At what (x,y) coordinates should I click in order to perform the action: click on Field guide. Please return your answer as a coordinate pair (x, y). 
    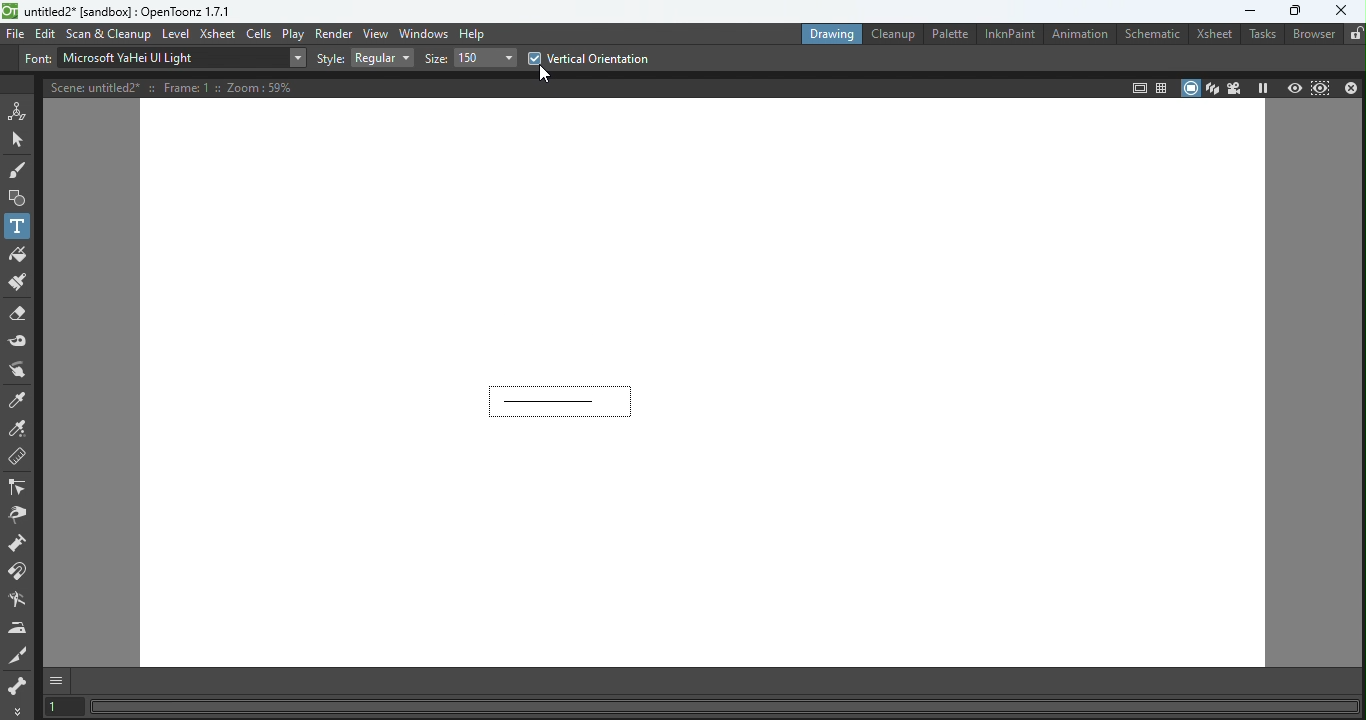
    Looking at the image, I should click on (1160, 88).